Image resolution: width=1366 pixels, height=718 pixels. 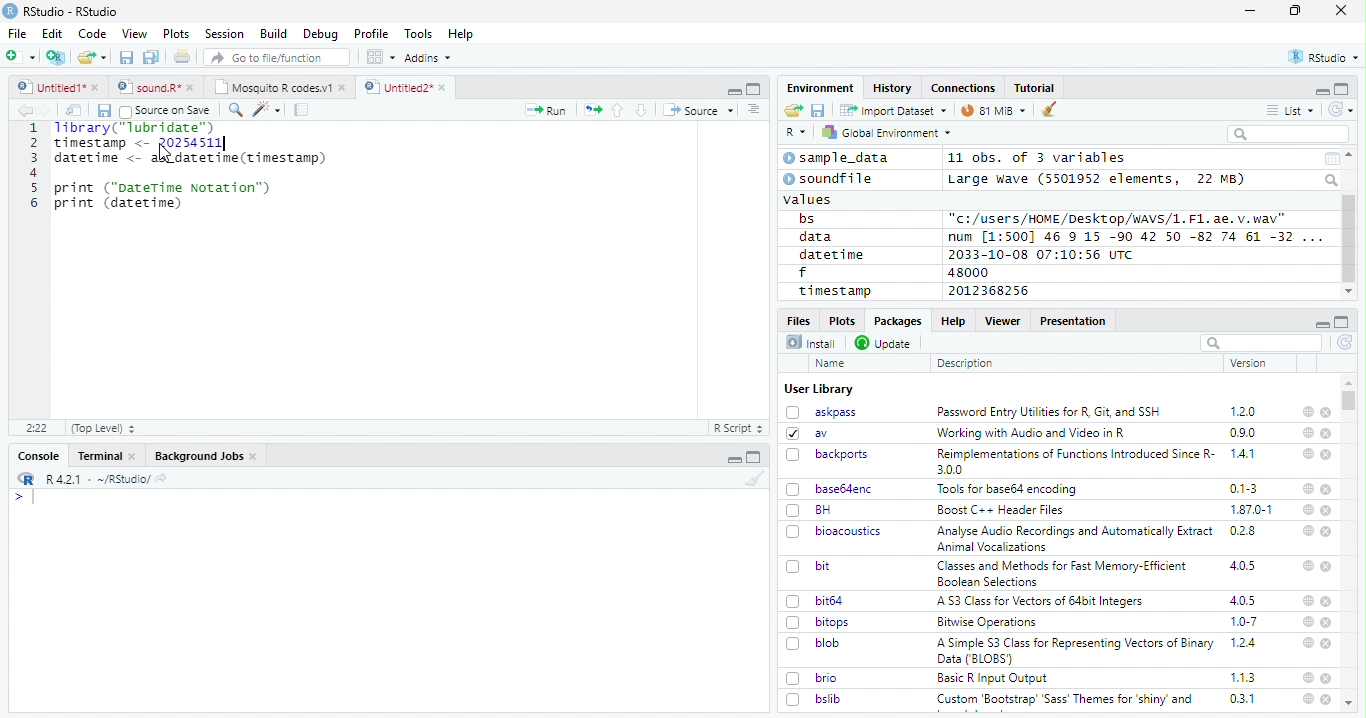 I want to click on help, so click(x=1308, y=432).